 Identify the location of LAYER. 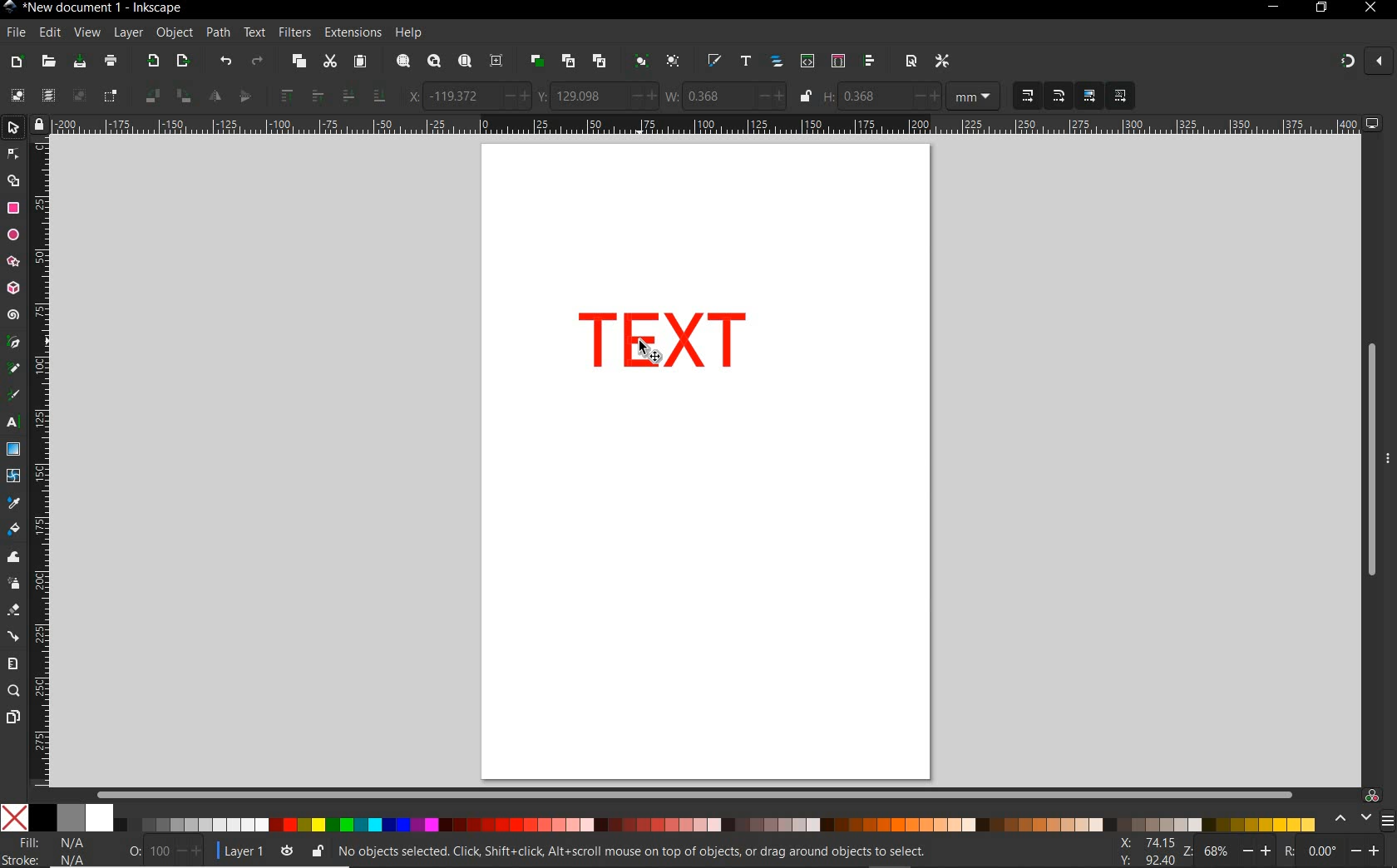
(129, 32).